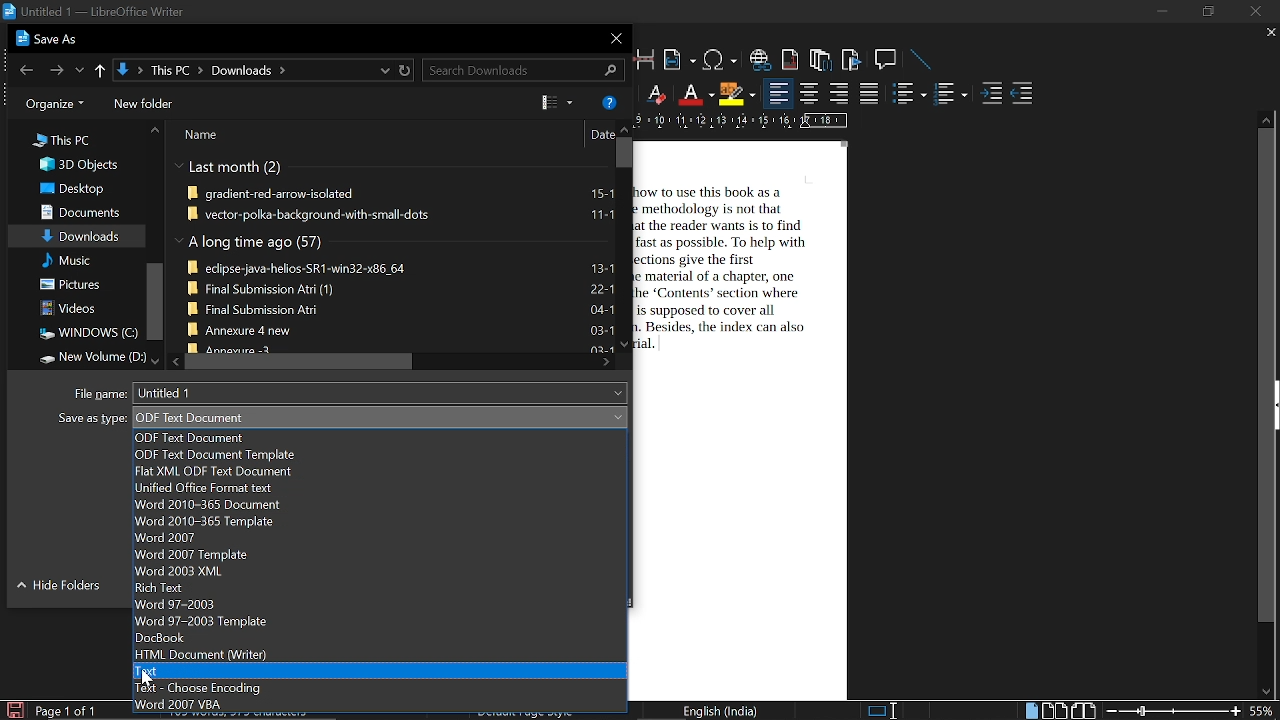  I want to click on Save as type, so click(91, 421).